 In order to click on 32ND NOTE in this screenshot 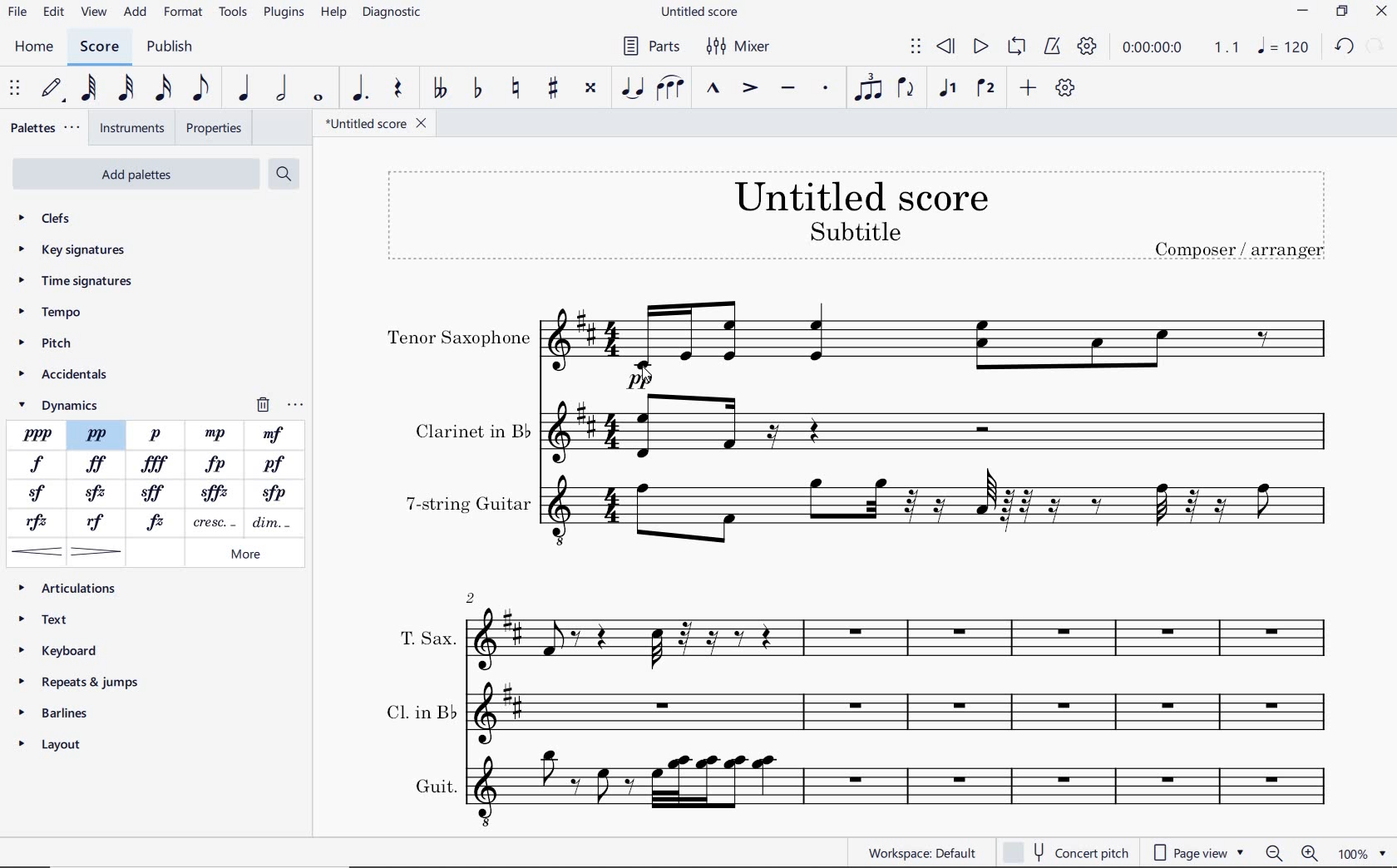, I will do `click(125, 89)`.